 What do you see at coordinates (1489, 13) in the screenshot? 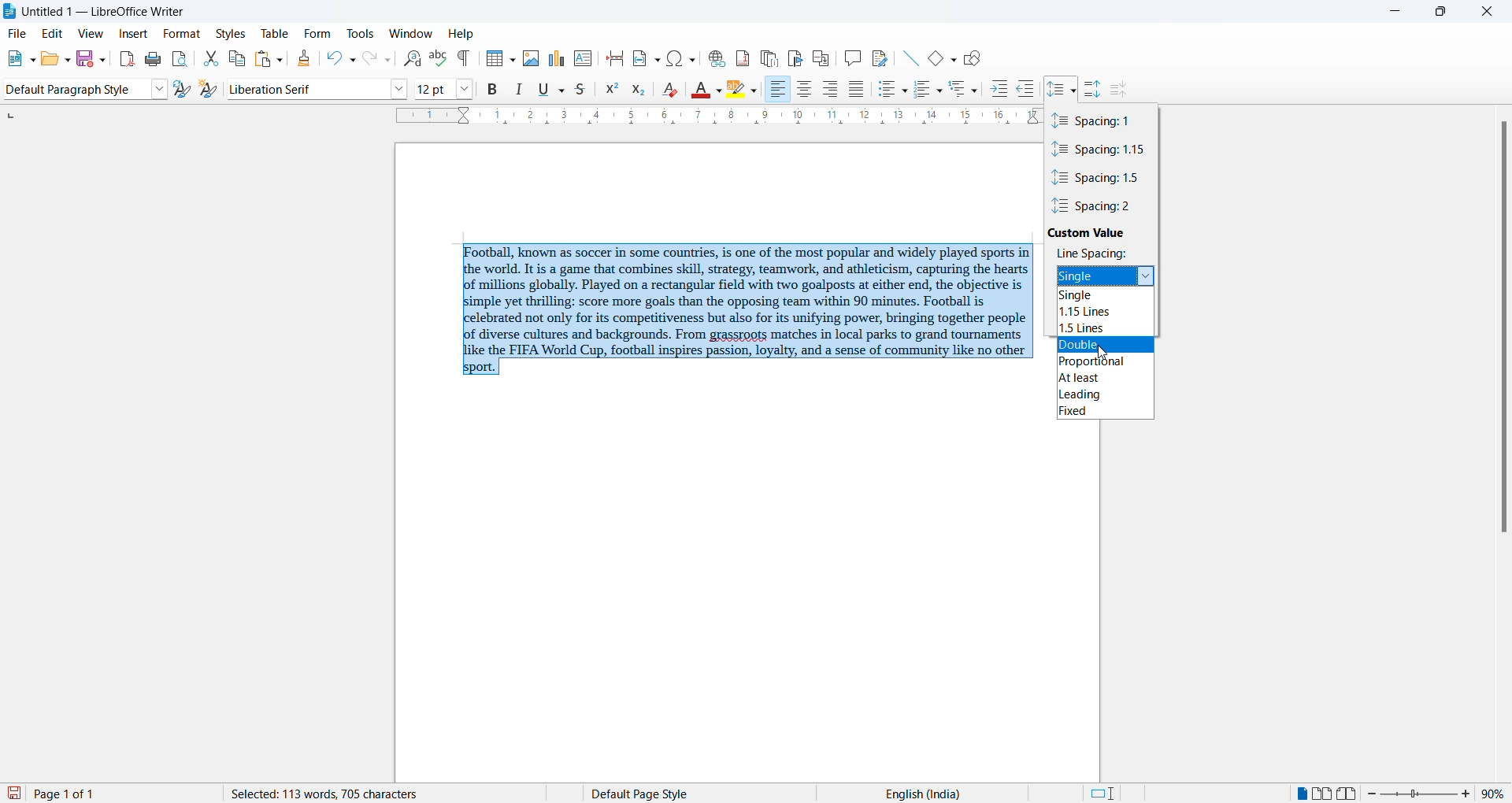
I see `close` at bounding box center [1489, 13].